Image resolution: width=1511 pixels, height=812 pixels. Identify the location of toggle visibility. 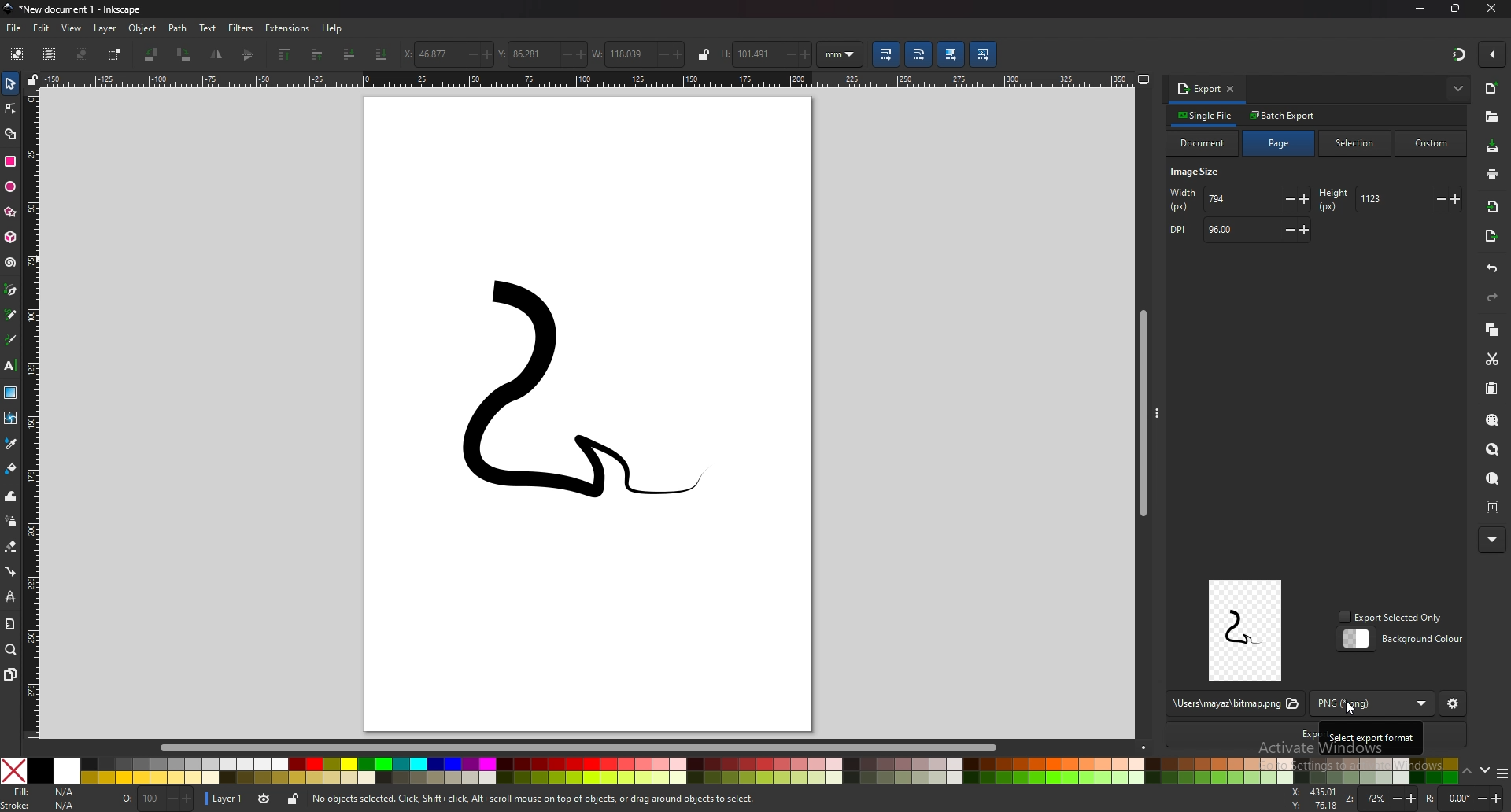
(264, 799).